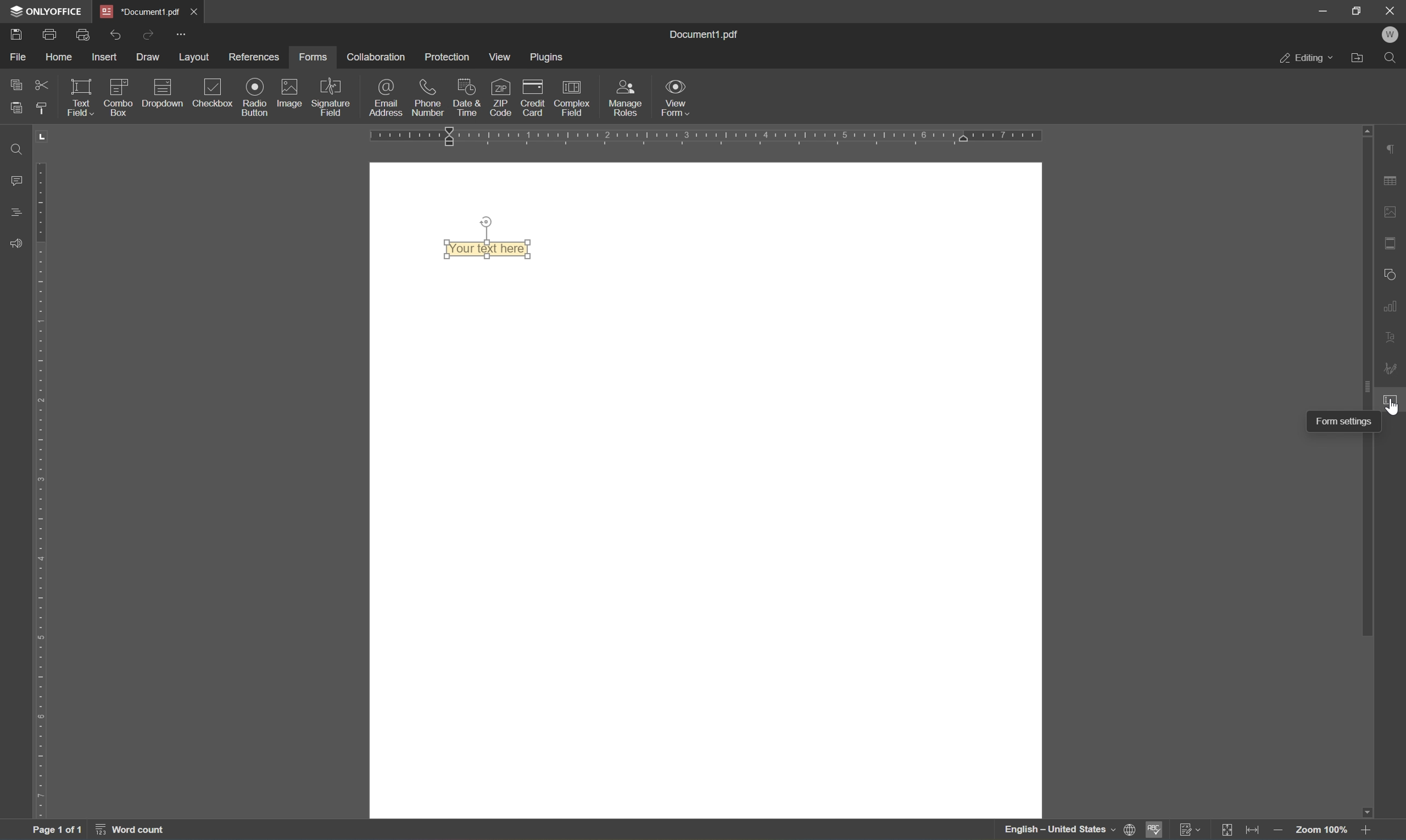 The height and width of the screenshot is (840, 1406). Describe the element at coordinates (147, 37) in the screenshot. I see `undo` at that location.